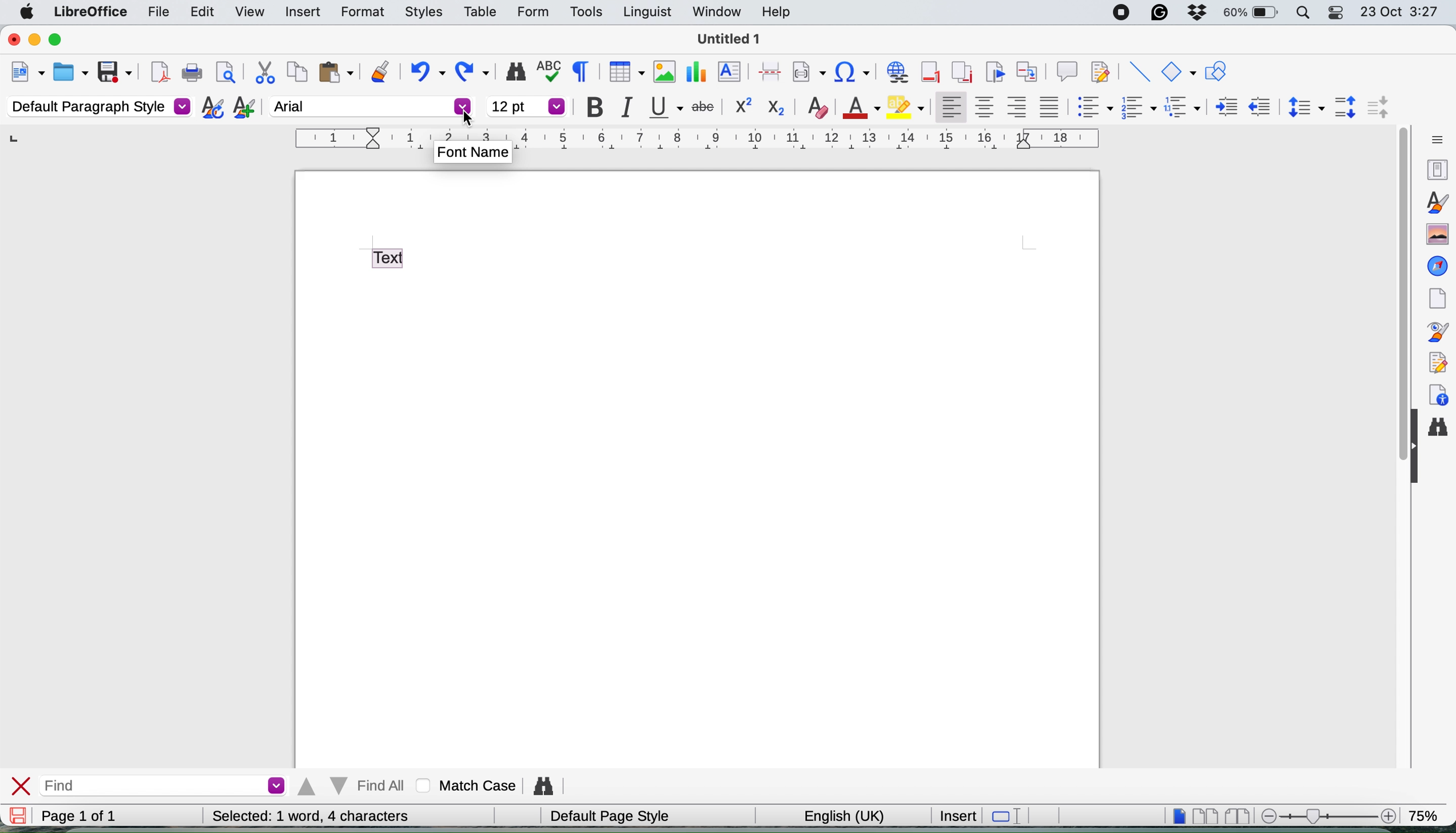  I want to click on clone formatting, so click(379, 72).